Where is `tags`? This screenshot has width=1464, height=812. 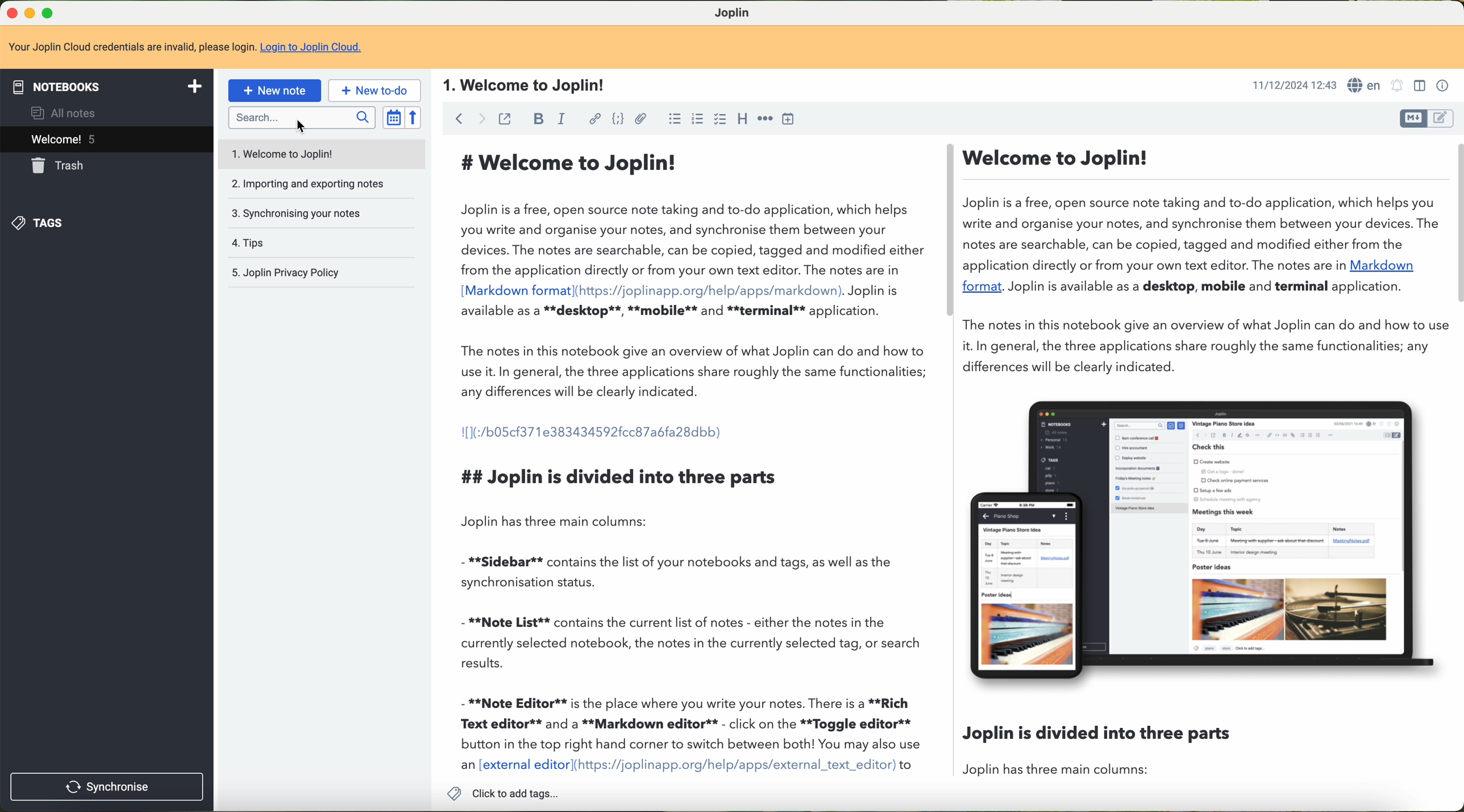
tags is located at coordinates (40, 222).